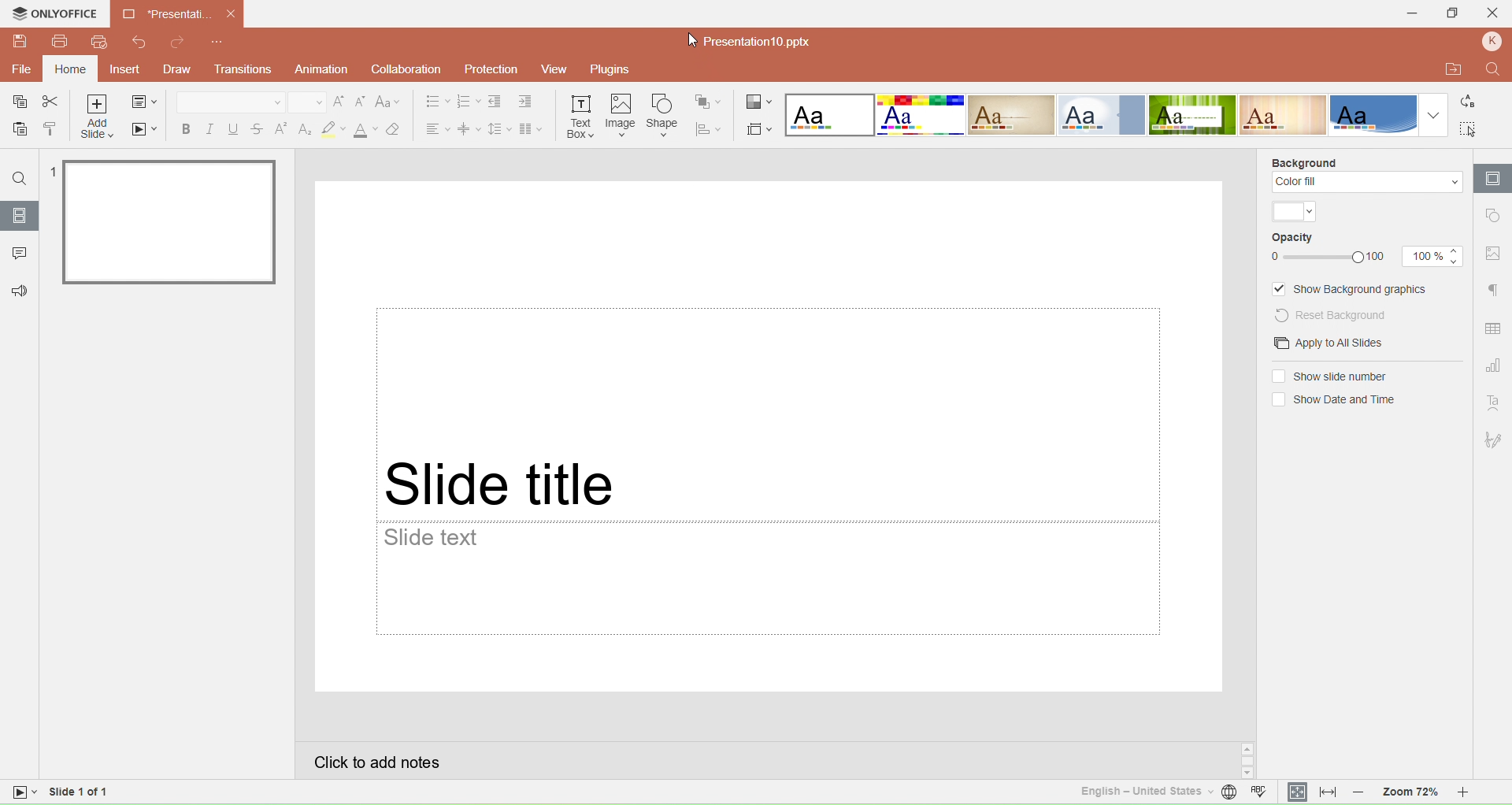 The width and height of the screenshot is (1512, 805). What do you see at coordinates (1011, 115) in the screenshot?
I see `Classic` at bounding box center [1011, 115].